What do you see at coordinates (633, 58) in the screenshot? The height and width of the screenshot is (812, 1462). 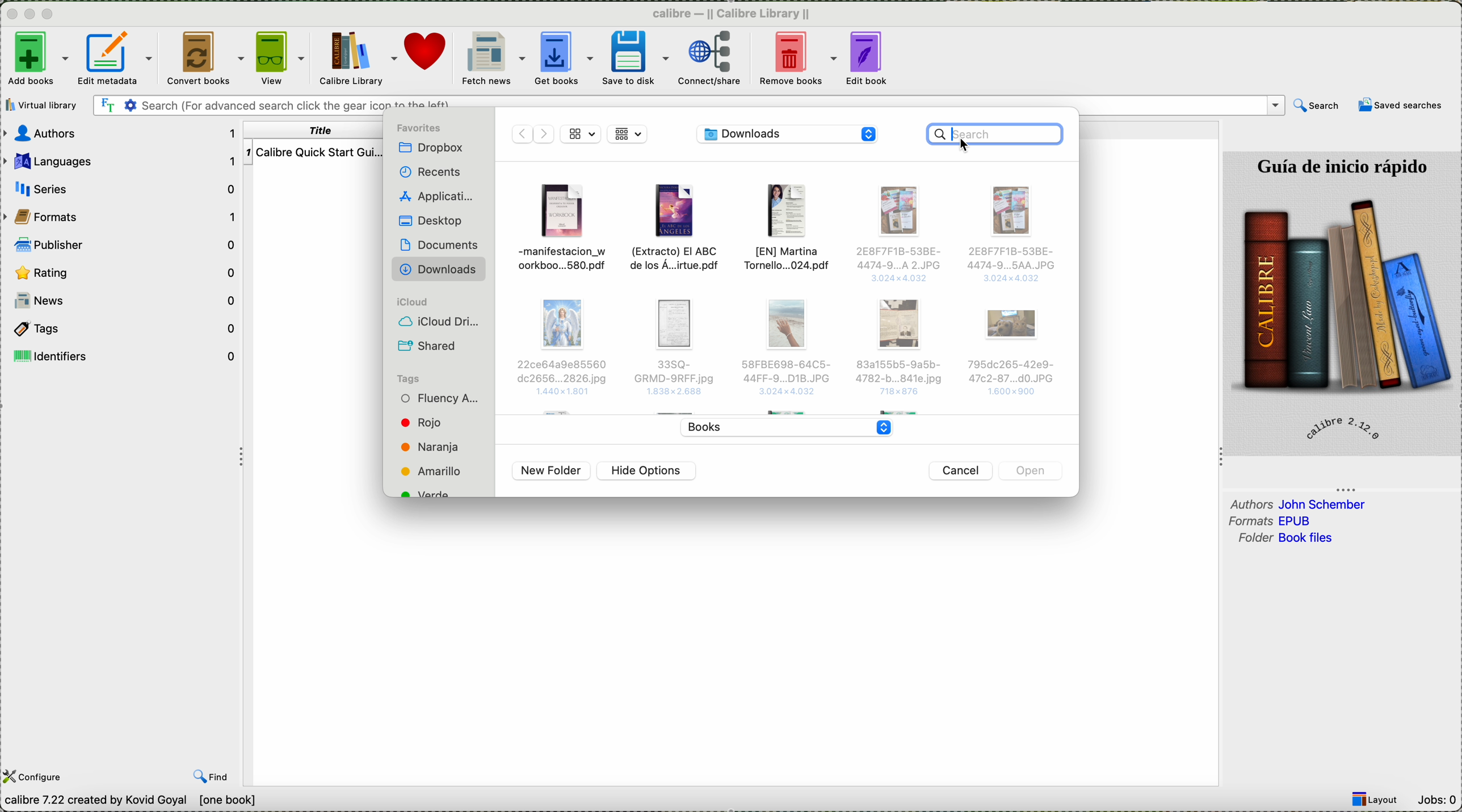 I see `save to disk` at bounding box center [633, 58].